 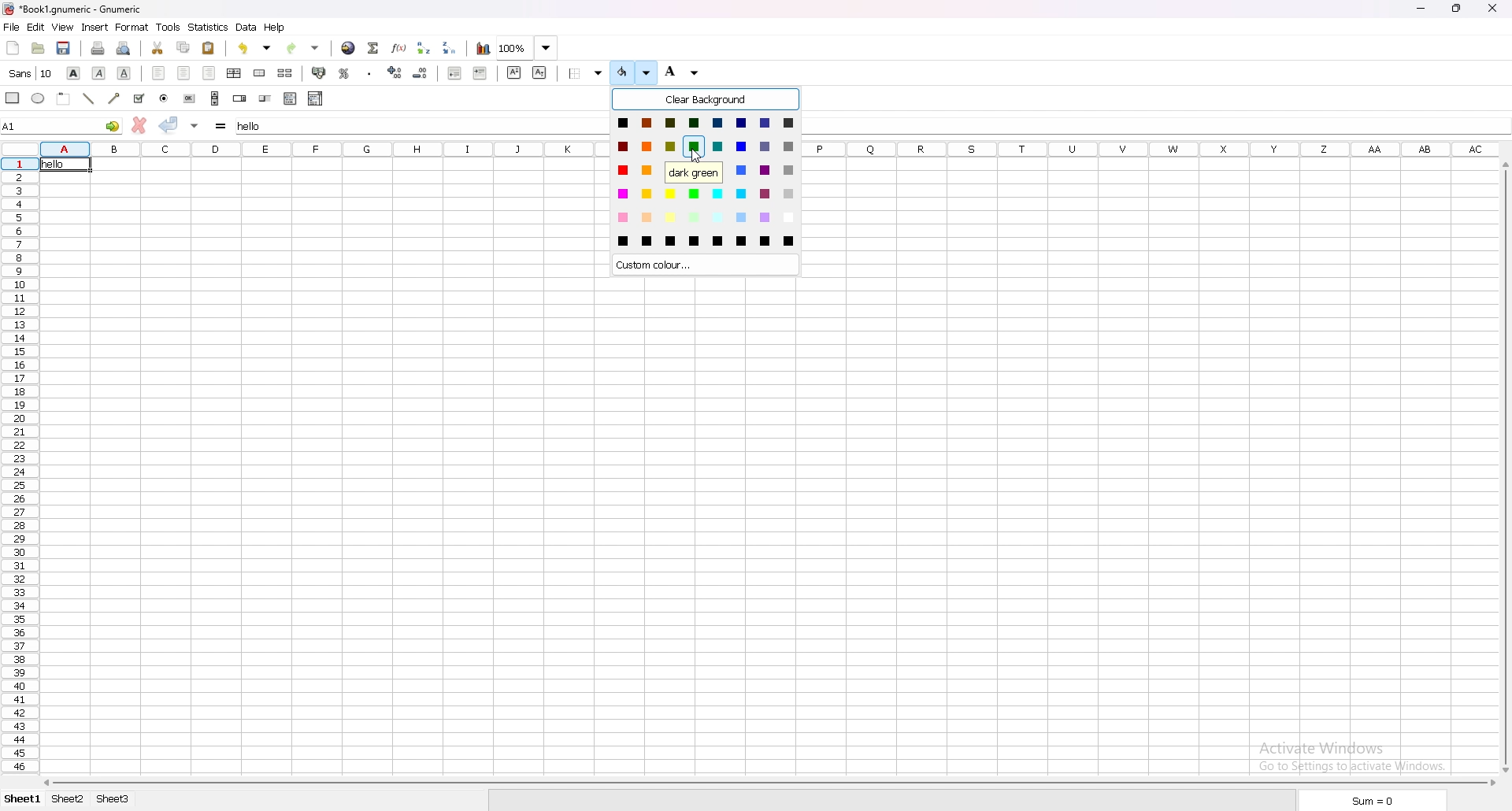 What do you see at coordinates (424, 124) in the screenshot?
I see `cell input` at bounding box center [424, 124].